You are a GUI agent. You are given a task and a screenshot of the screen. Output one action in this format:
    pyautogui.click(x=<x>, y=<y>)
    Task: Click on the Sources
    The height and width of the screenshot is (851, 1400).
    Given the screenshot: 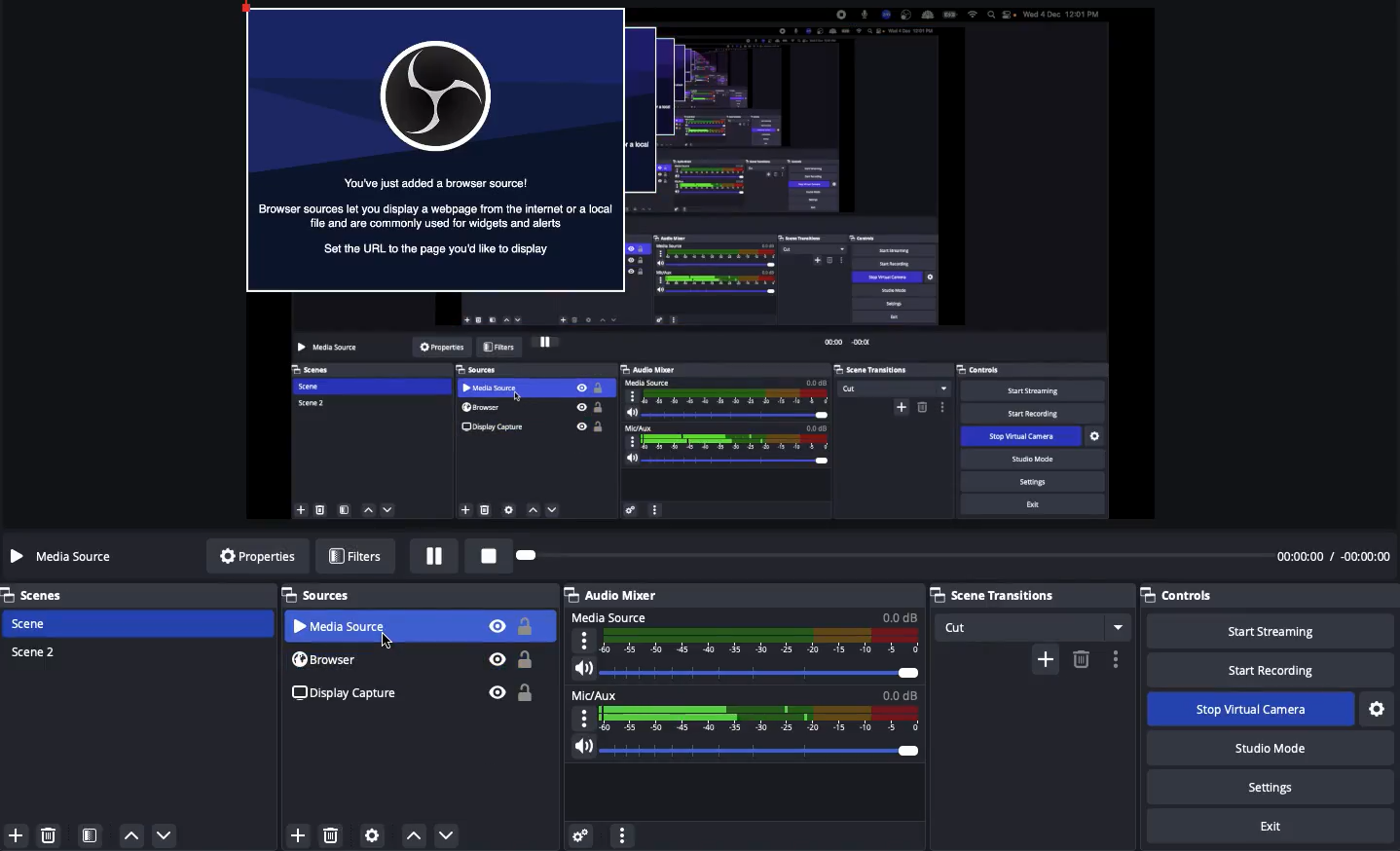 What is the action you would take?
    pyautogui.click(x=321, y=595)
    